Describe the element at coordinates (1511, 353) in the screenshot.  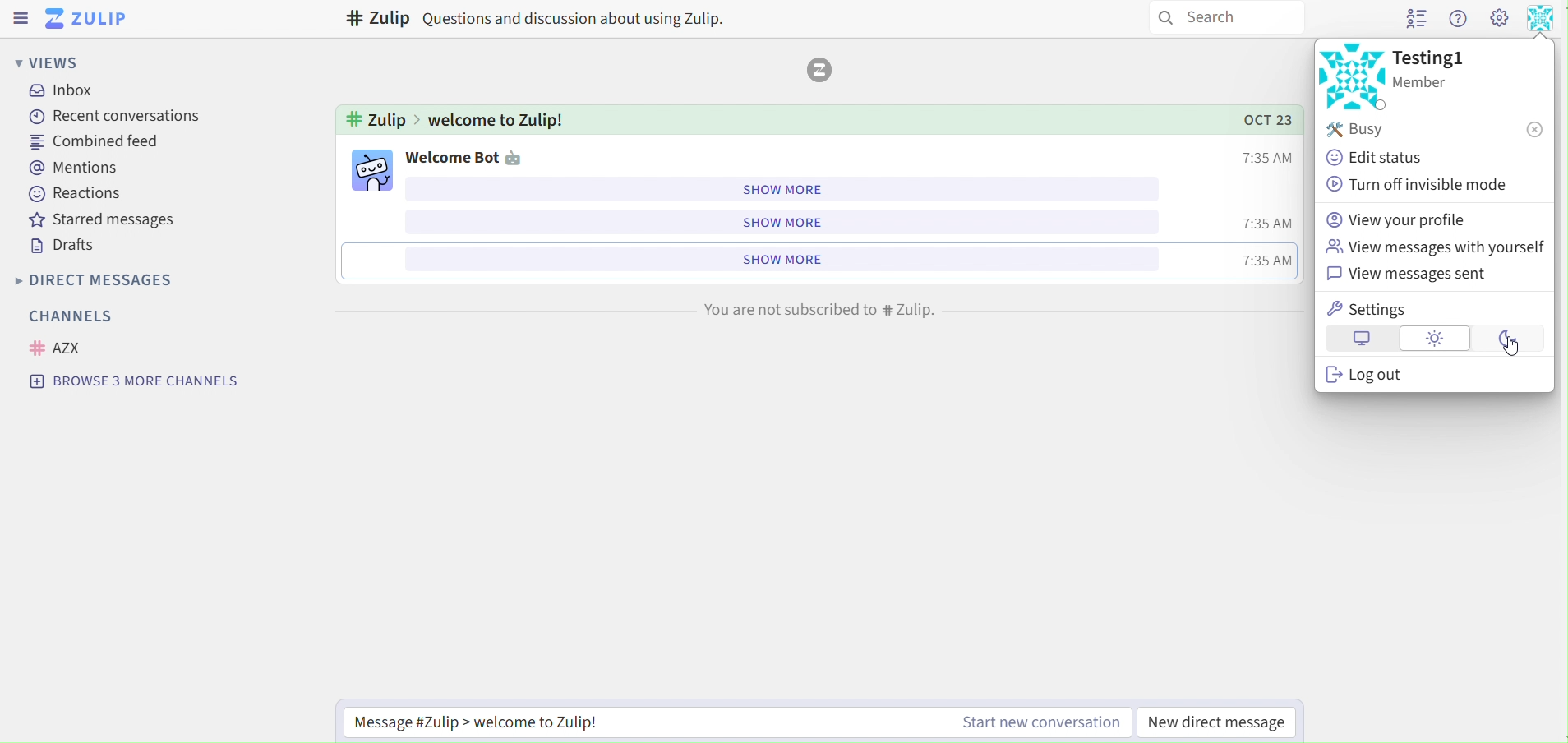
I see `cursor` at that location.